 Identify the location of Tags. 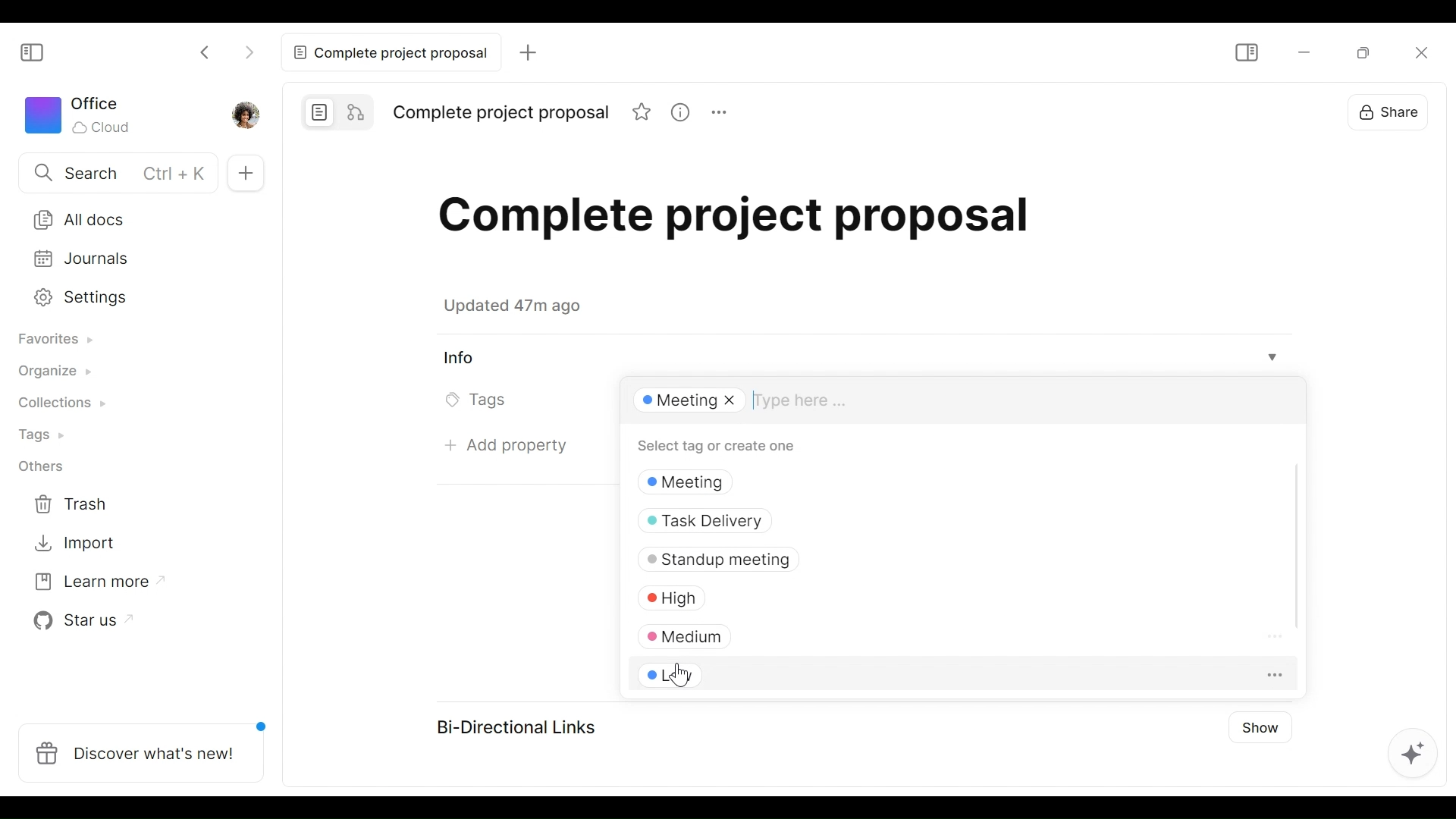
(47, 435).